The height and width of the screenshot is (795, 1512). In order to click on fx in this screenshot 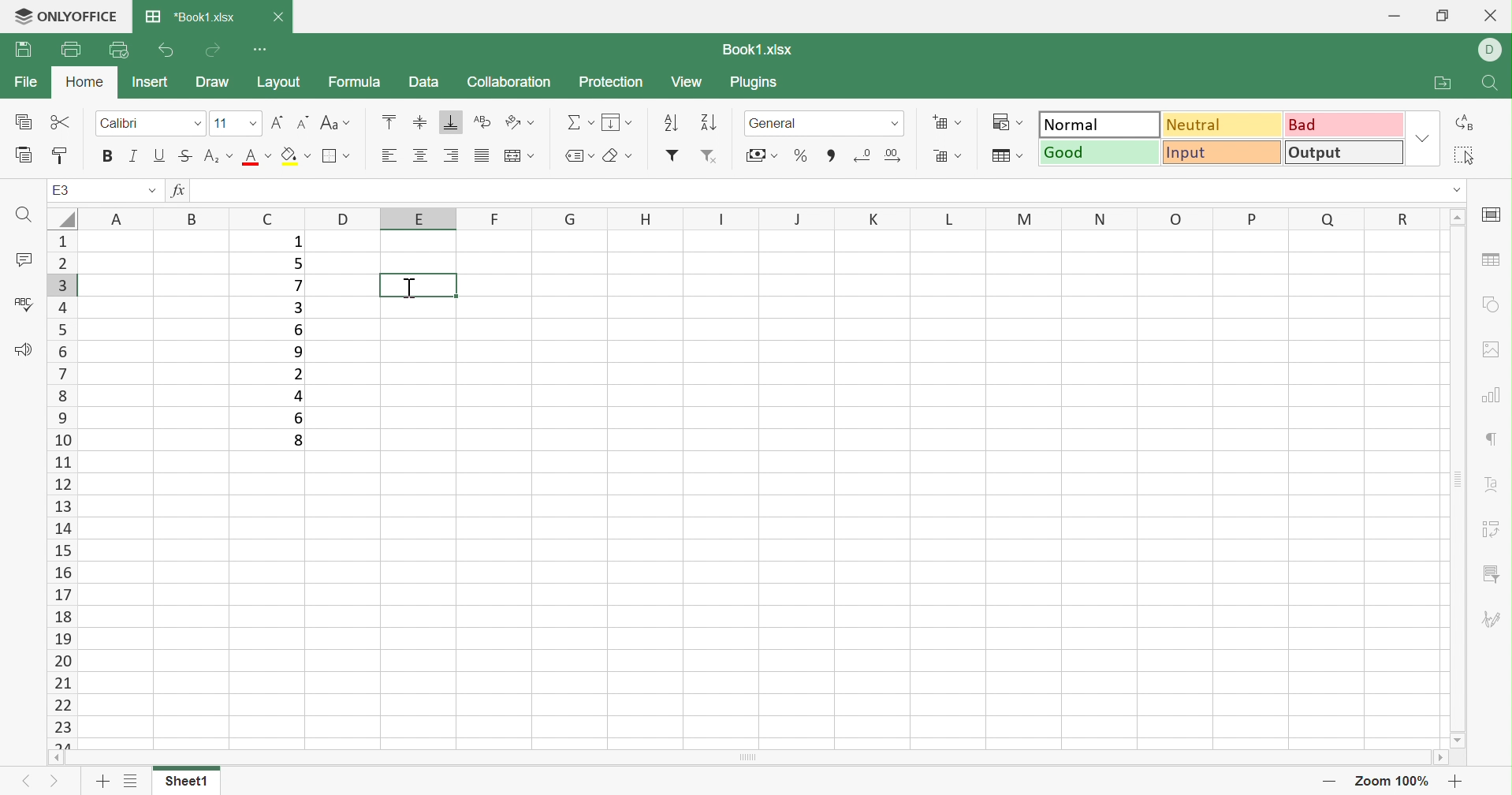, I will do `click(182, 191)`.